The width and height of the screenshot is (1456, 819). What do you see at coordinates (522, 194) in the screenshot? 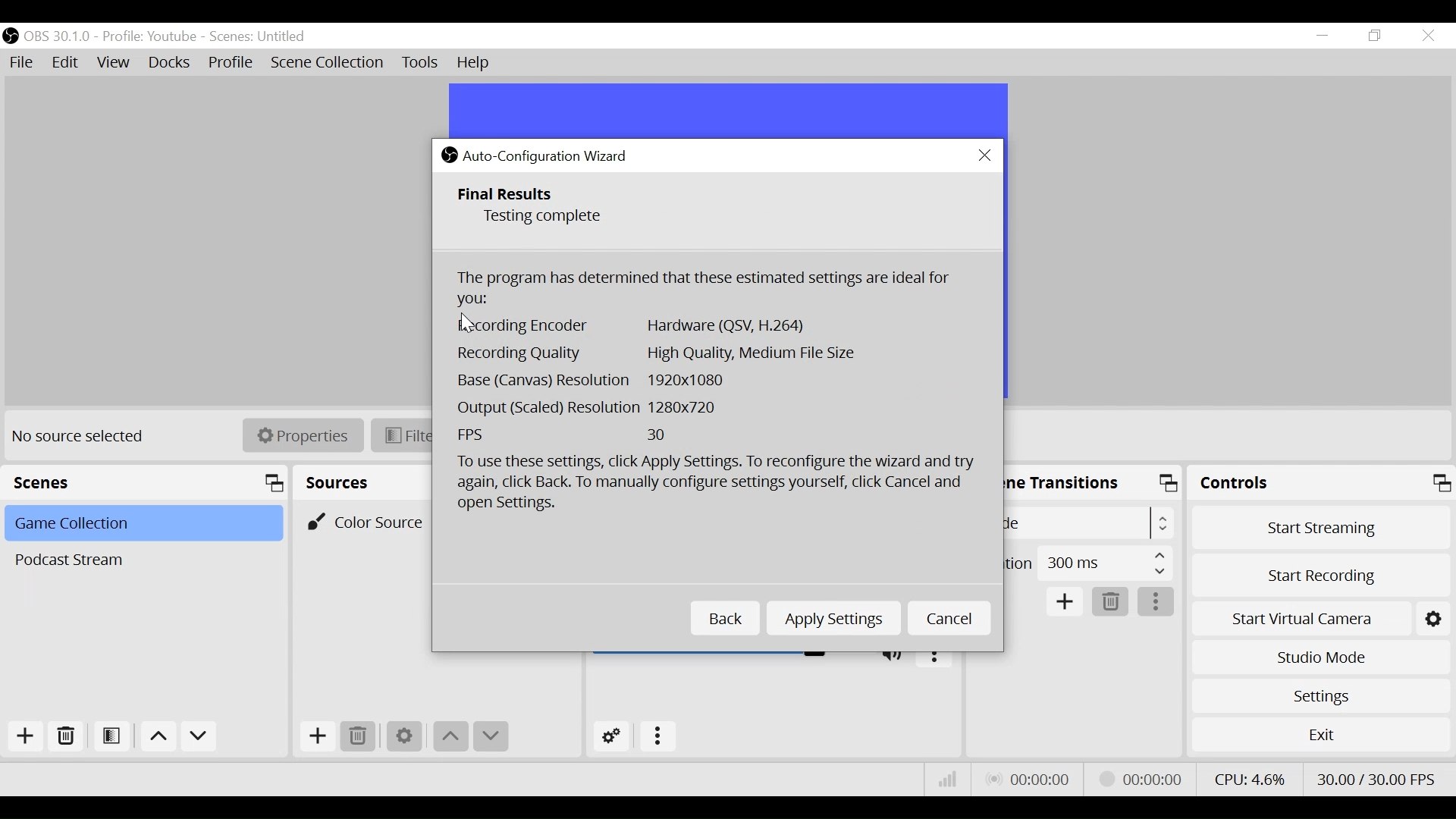
I see `Final Results` at bounding box center [522, 194].